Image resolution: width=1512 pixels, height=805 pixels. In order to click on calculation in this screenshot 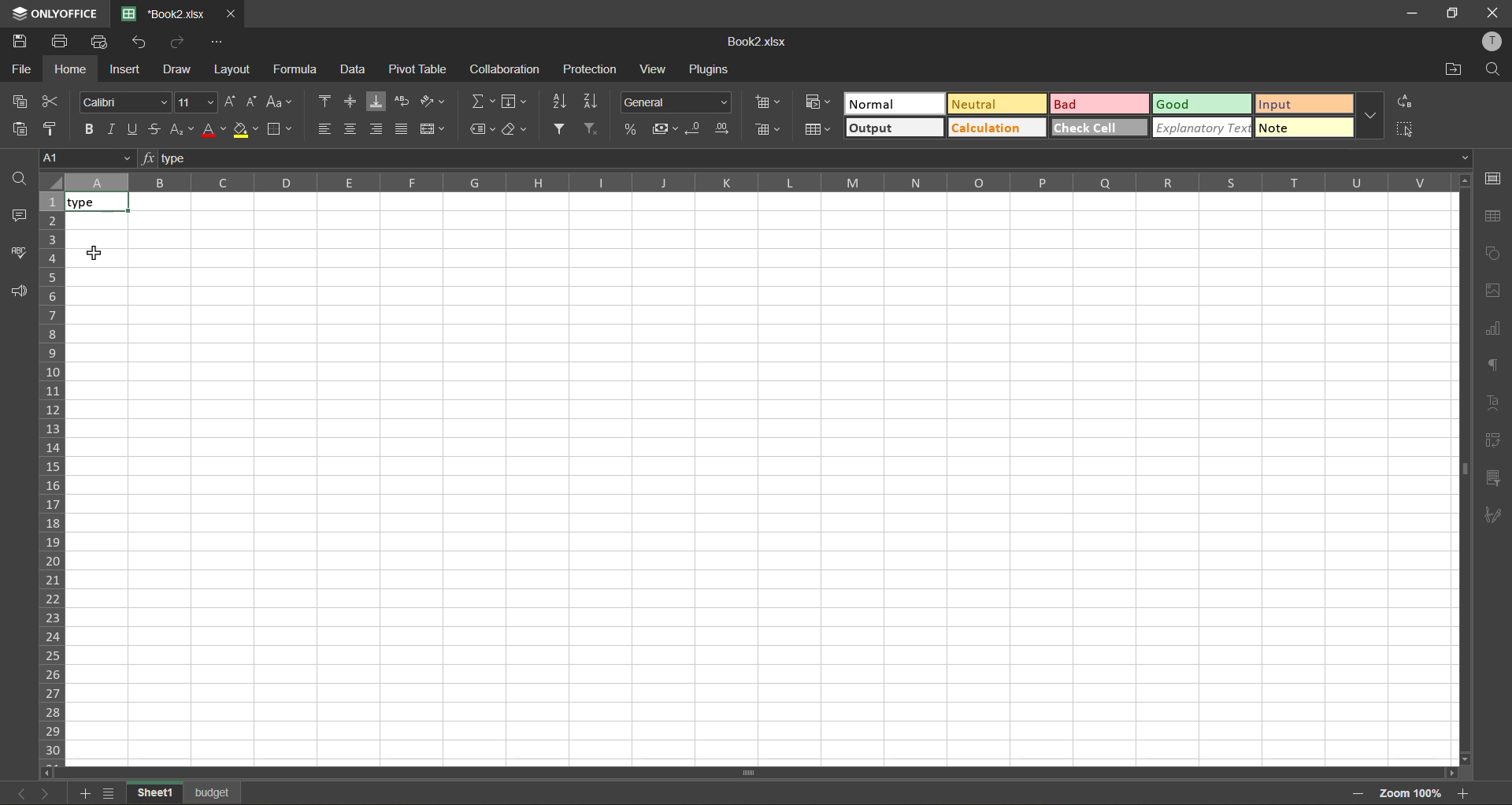, I will do `click(997, 129)`.